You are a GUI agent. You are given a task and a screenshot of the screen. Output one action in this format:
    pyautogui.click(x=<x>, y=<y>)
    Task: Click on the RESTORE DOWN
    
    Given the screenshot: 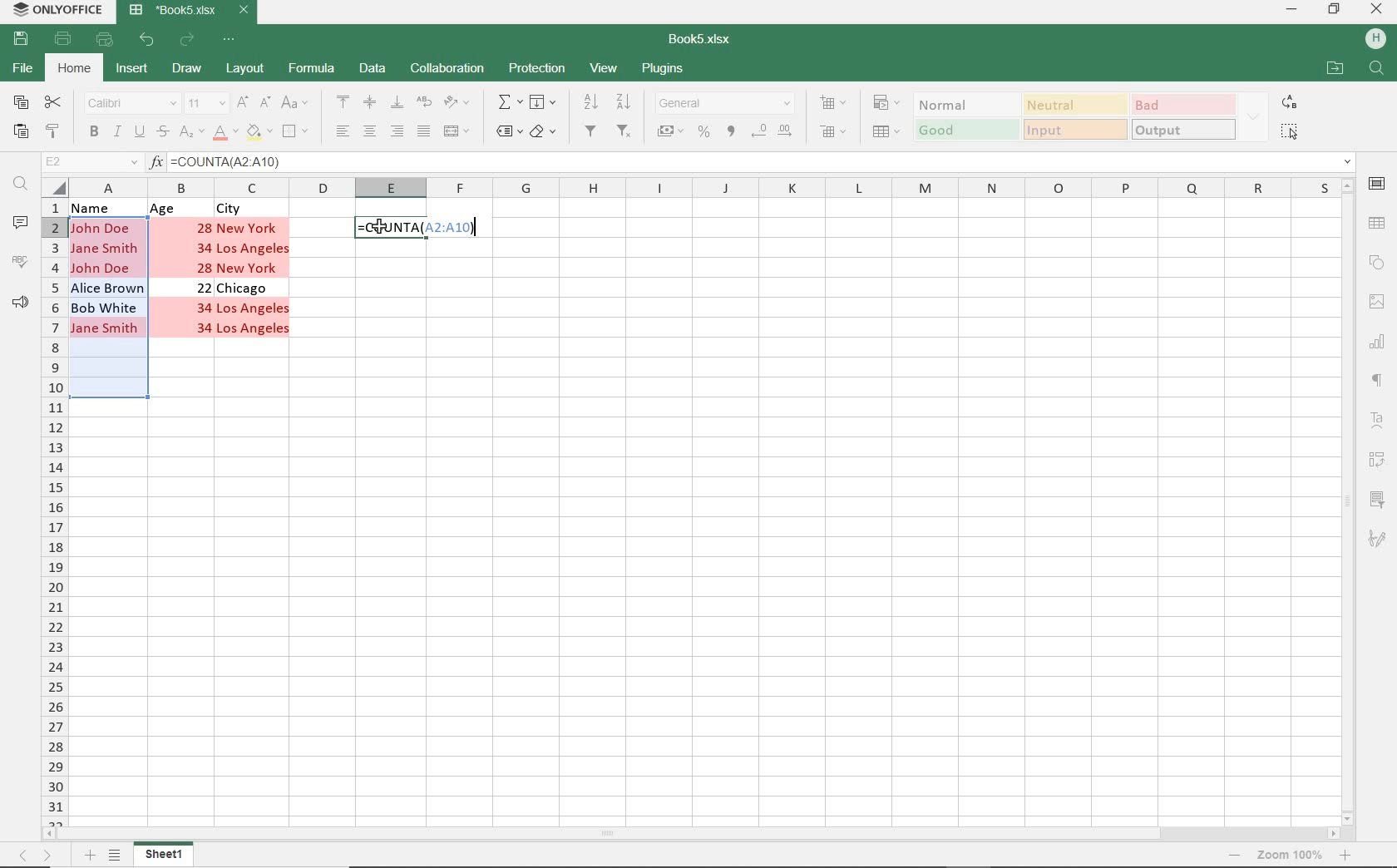 What is the action you would take?
    pyautogui.click(x=1336, y=10)
    